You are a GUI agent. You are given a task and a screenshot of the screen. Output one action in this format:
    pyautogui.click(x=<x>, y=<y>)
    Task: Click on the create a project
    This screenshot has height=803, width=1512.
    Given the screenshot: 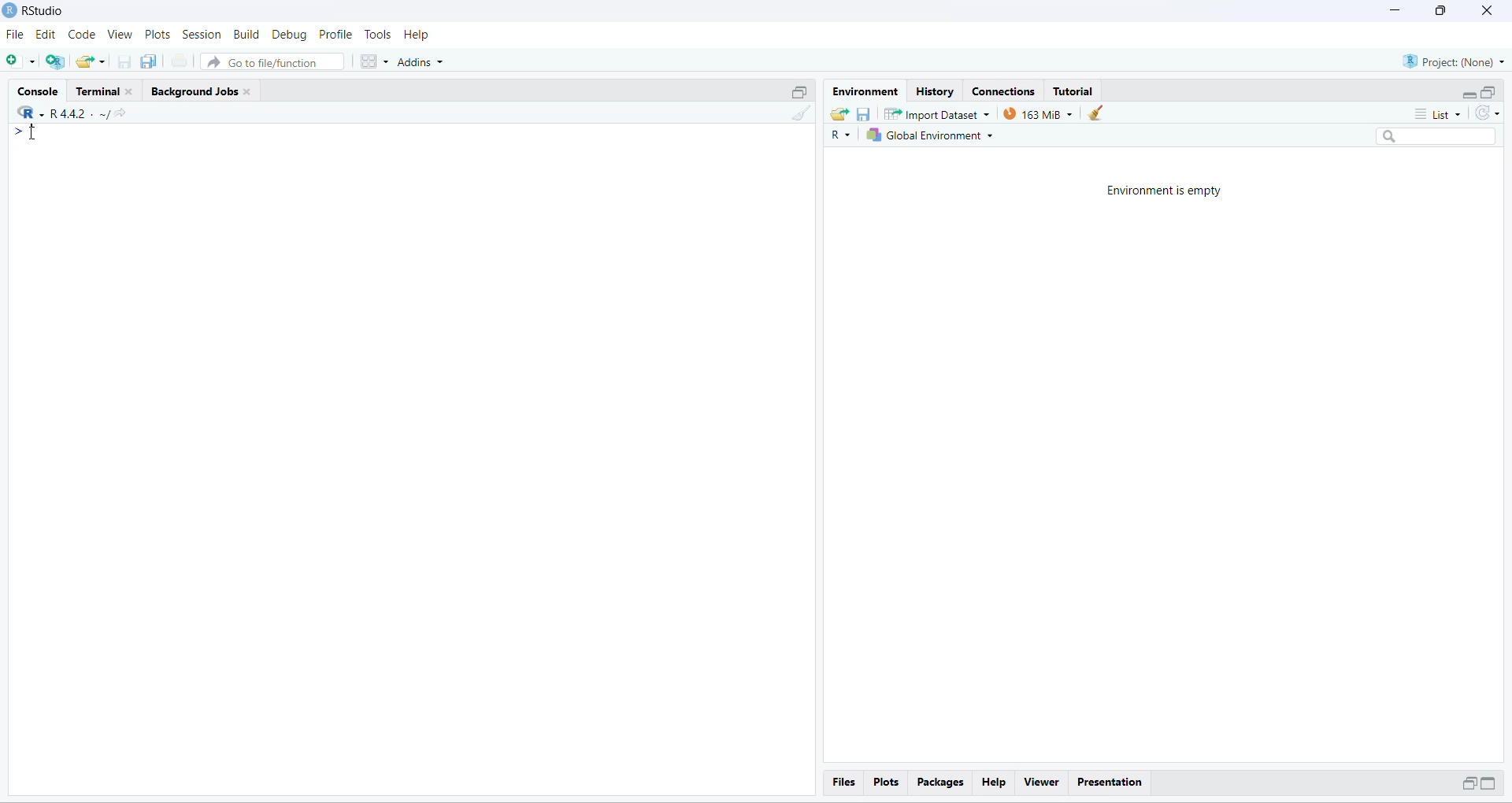 What is the action you would take?
    pyautogui.click(x=54, y=61)
    